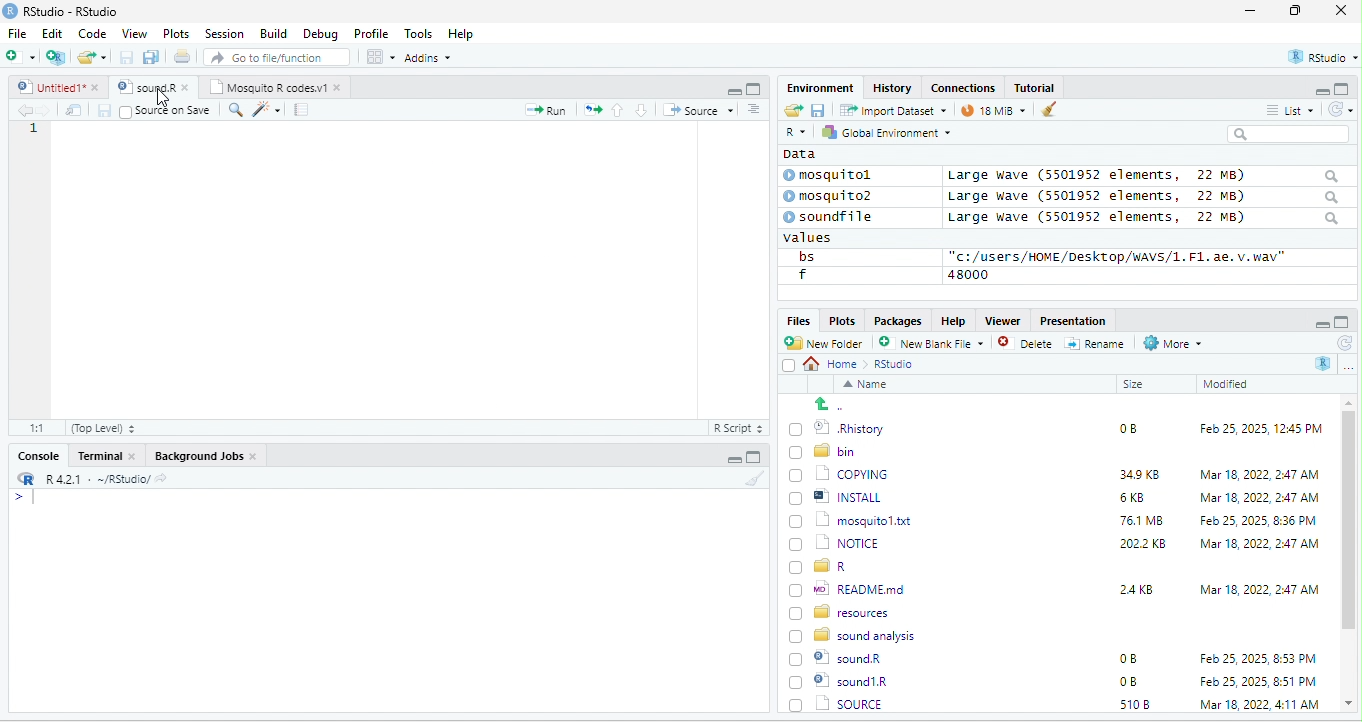 The height and width of the screenshot is (722, 1362). I want to click on 48000, so click(969, 274).